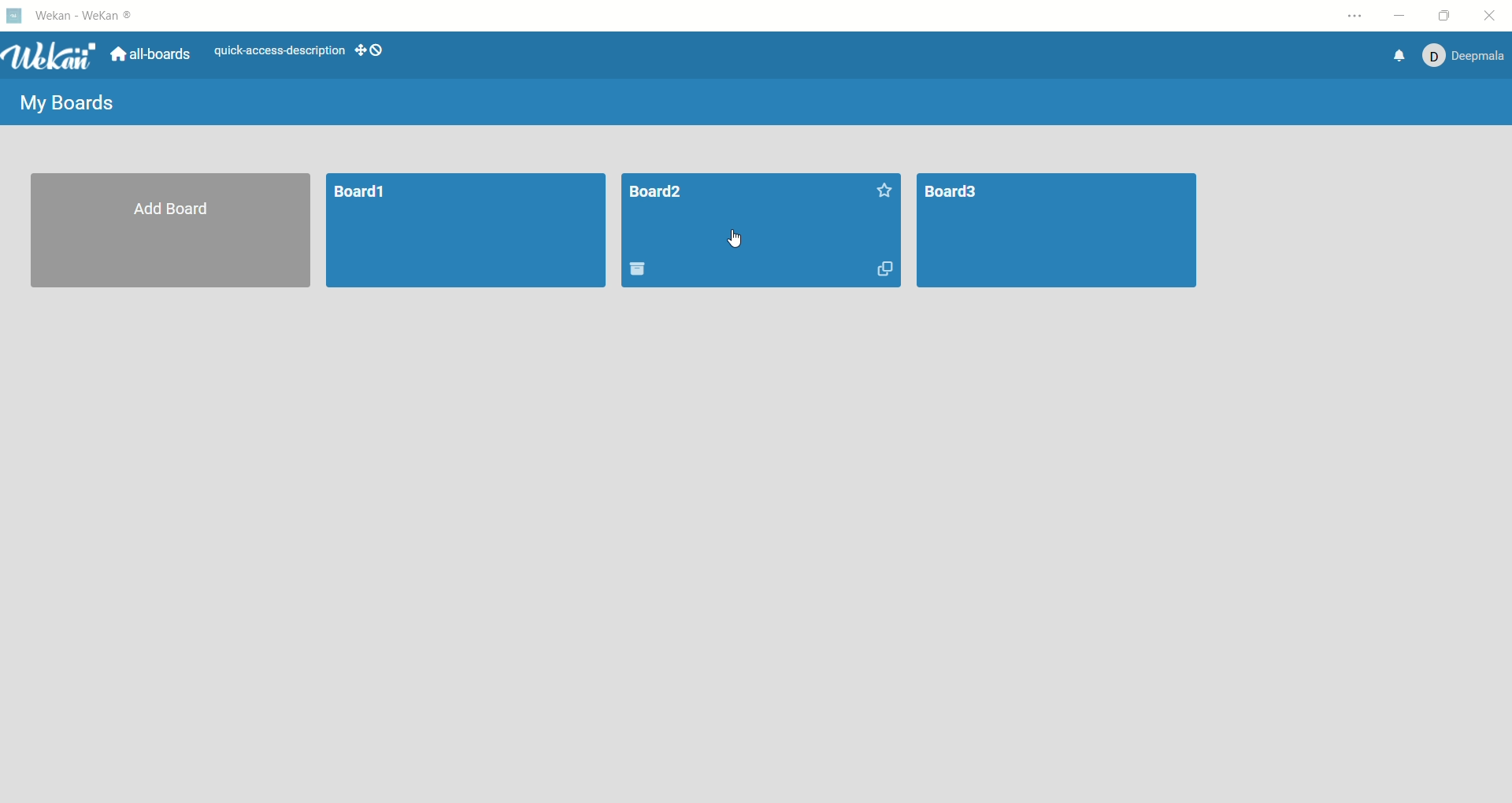 This screenshot has width=1512, height=803. I want to click on maximize, so click(1443, 14).